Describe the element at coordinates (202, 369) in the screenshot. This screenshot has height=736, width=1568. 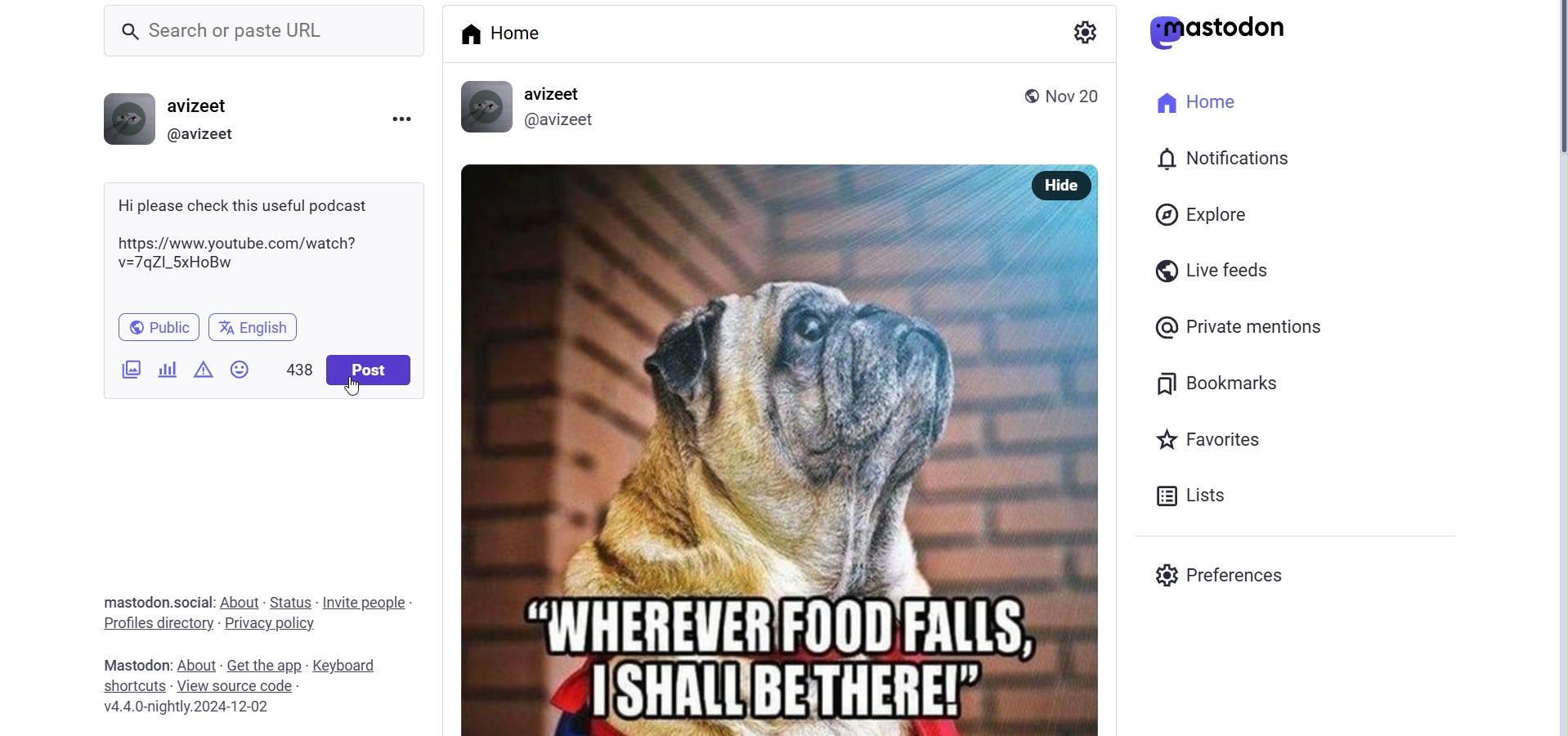
I see `content warning` at that location.